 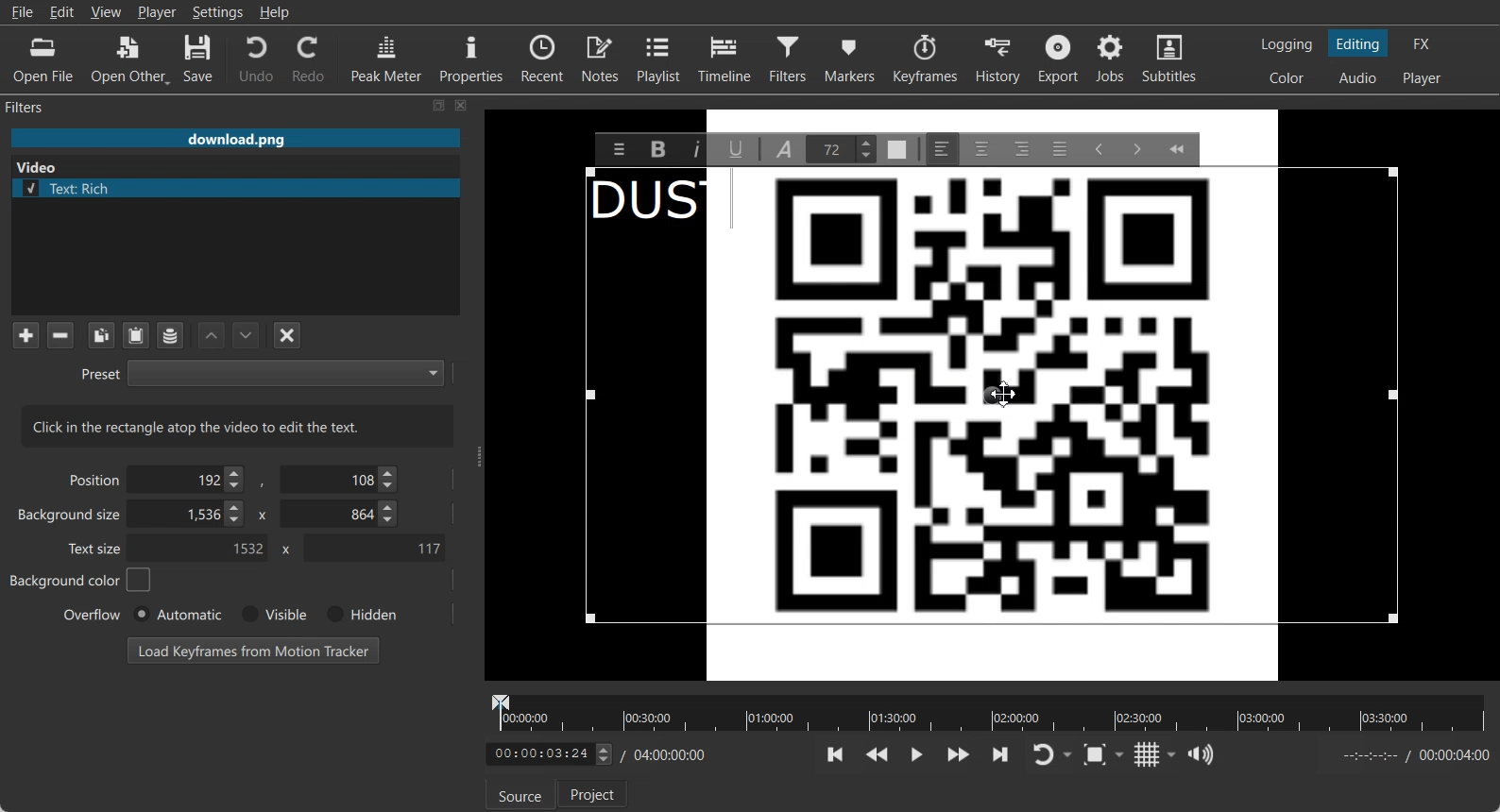 What do you see at coordinates (1411, 755) in the screenshot?
I see `End time ` at bounding box center [1411, 755].